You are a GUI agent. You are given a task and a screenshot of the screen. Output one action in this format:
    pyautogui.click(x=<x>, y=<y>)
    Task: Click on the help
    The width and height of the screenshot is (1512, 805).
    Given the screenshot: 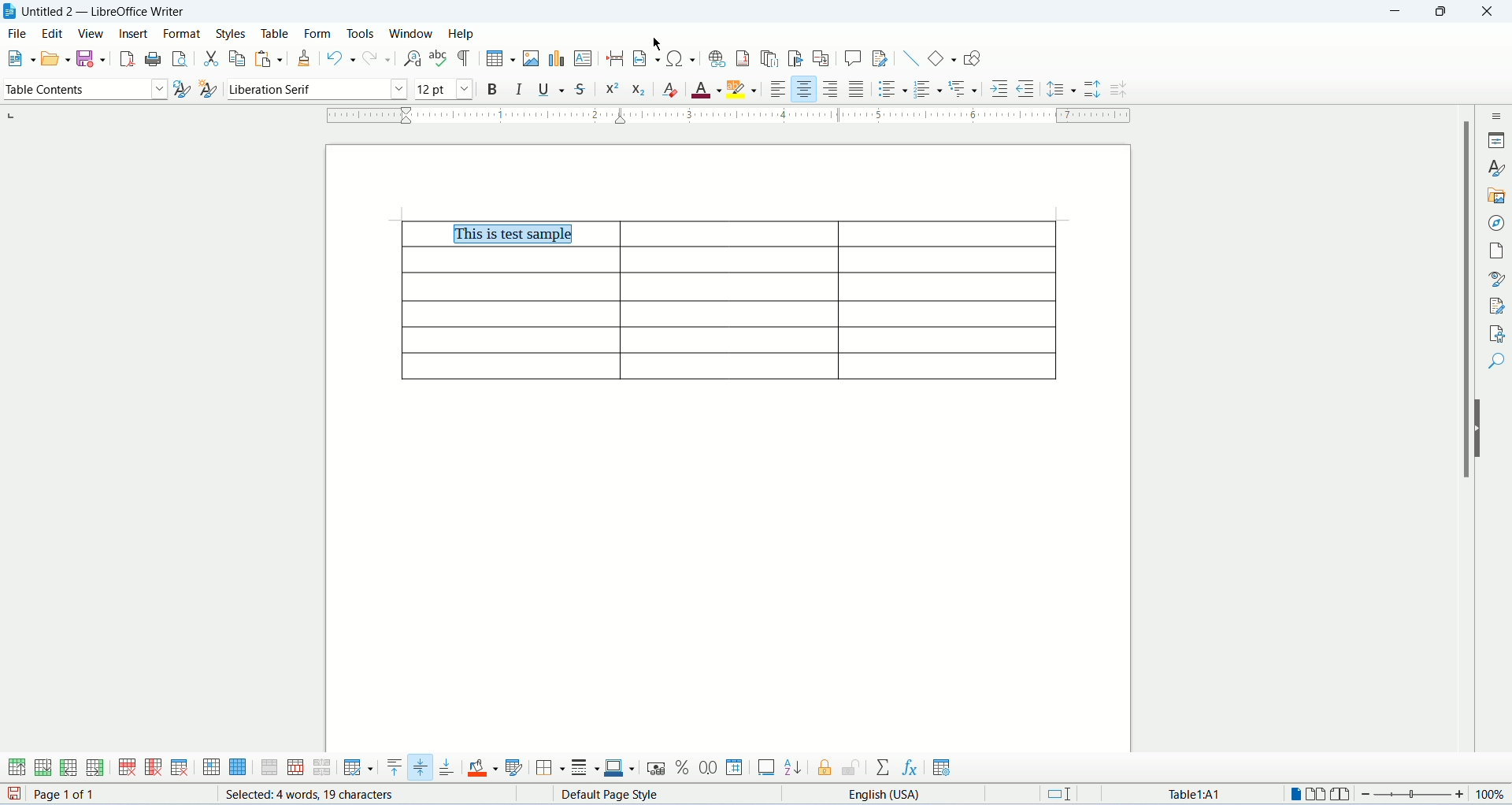 What is the action you would take?
    pyautogui.click(x=461, y=34)
    